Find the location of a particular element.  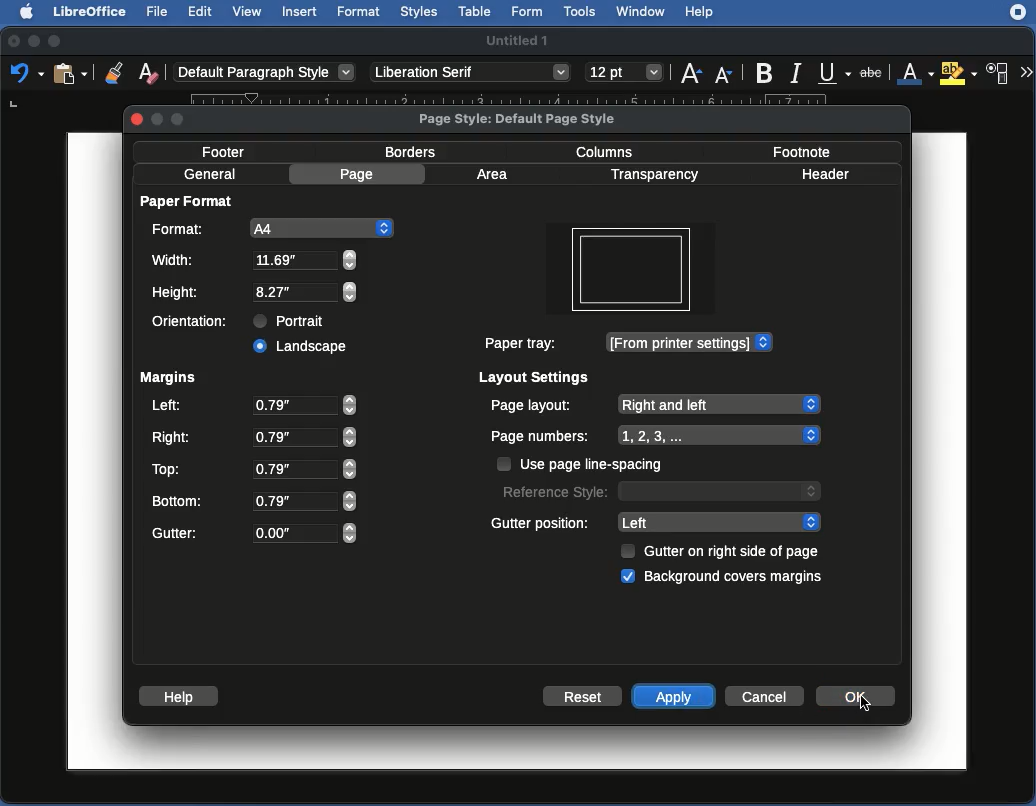

Width is located at coordinates (175, 260).